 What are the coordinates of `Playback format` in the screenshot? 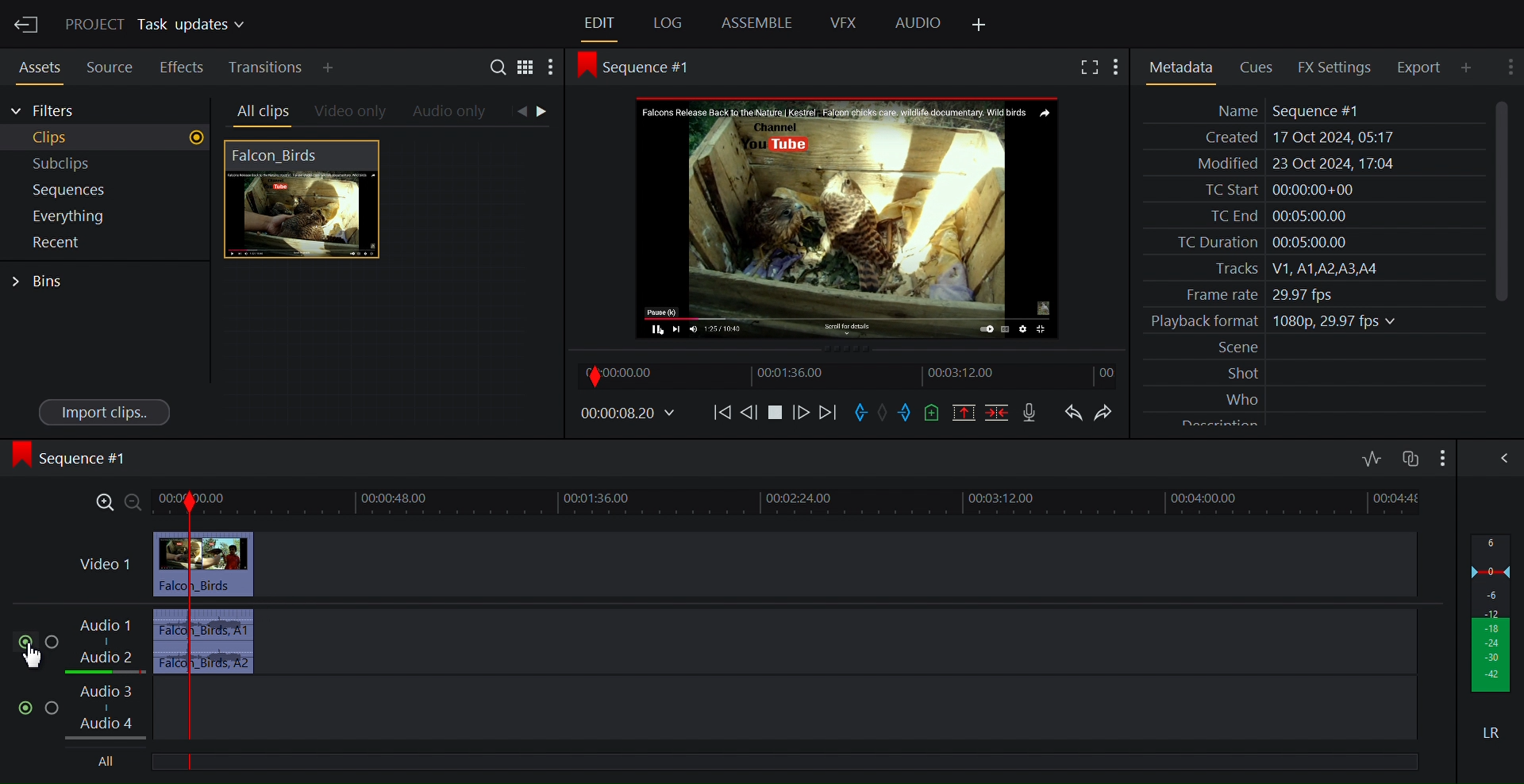 It's located at (1312, 321).